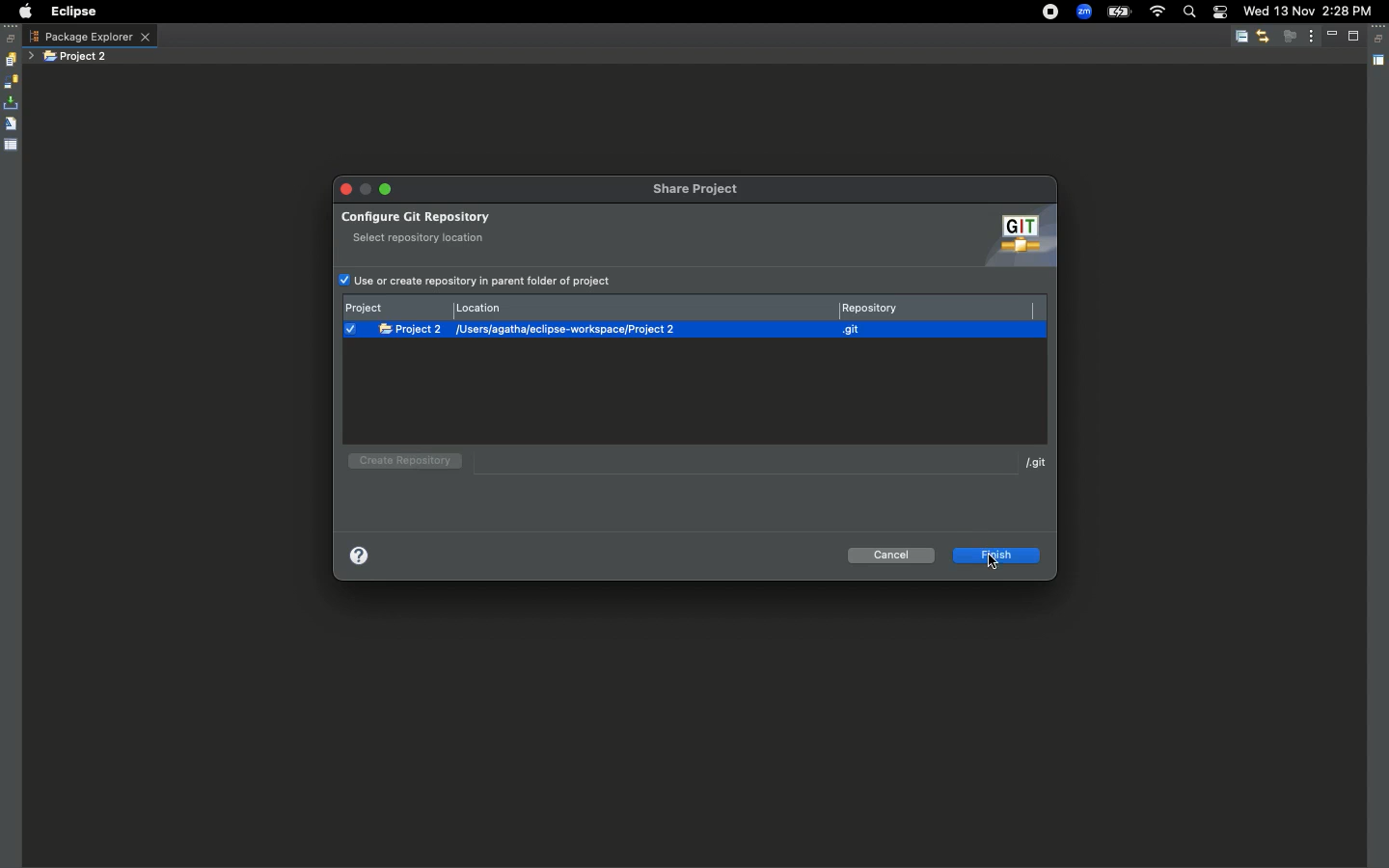  Describe the element at coordinates (419, 468) in the screenshot. I see `Cursor` at that location.